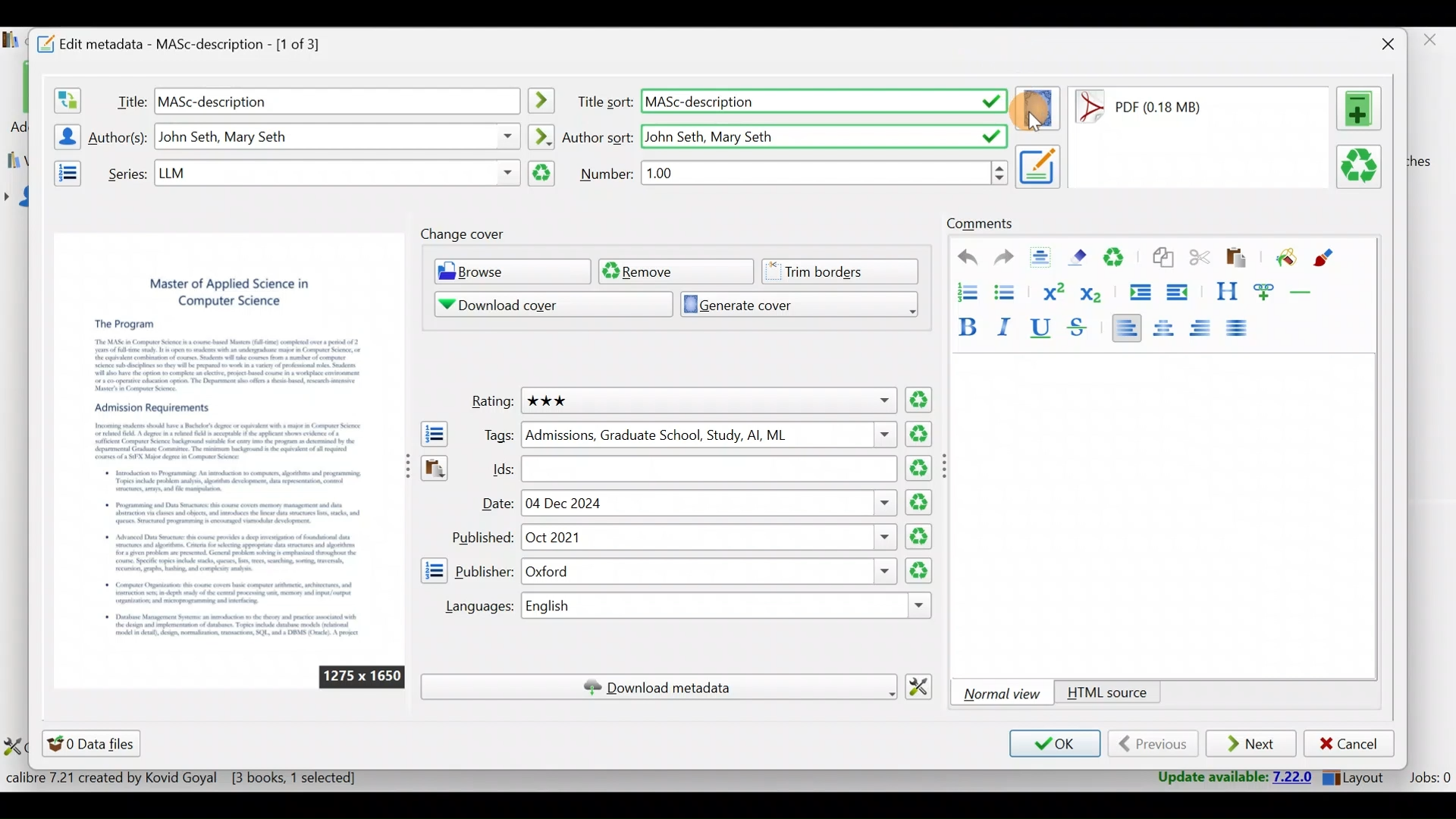 This screenshot has height=819, width=1456. What do you see at coordinates (128, 99) in the screenshot?
I see `Title` at bounding box center [128, 99].